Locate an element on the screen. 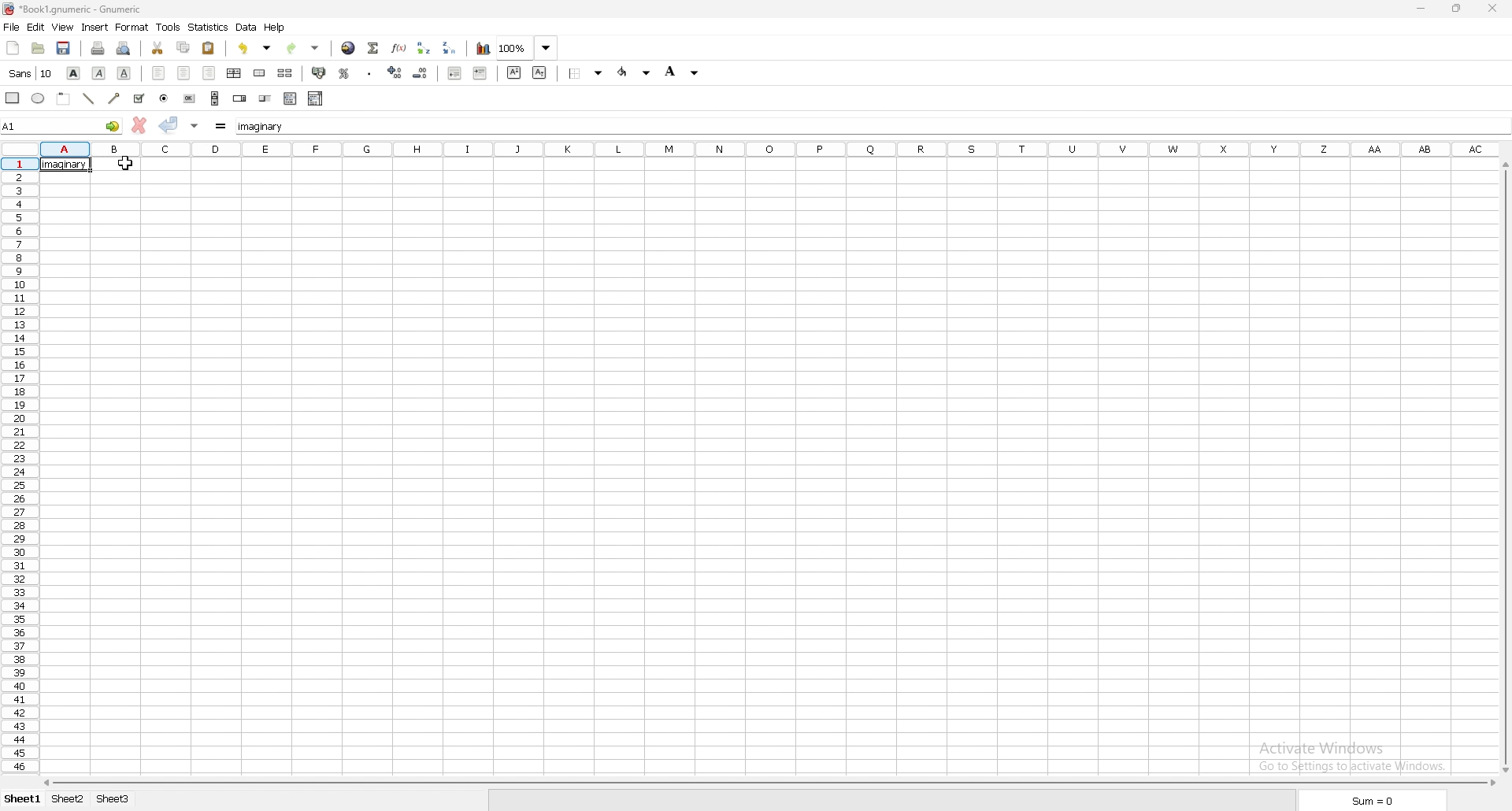 The image size is (1512, 811). file is located at coordinates (12, 27).